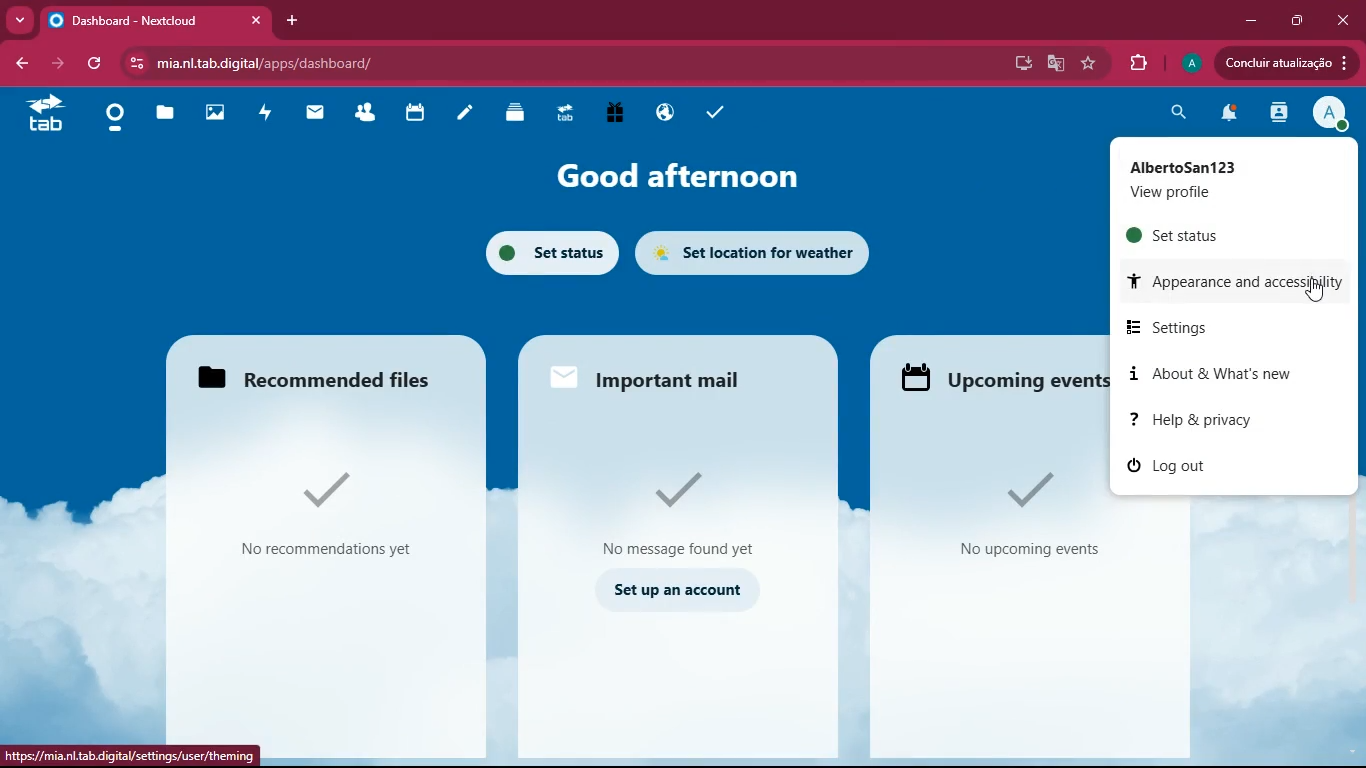 The height and width of the screenshot is (768, 1366). Describe the element at coordinates (1092, 65) in the screenshot. I see `favourite` at that location.